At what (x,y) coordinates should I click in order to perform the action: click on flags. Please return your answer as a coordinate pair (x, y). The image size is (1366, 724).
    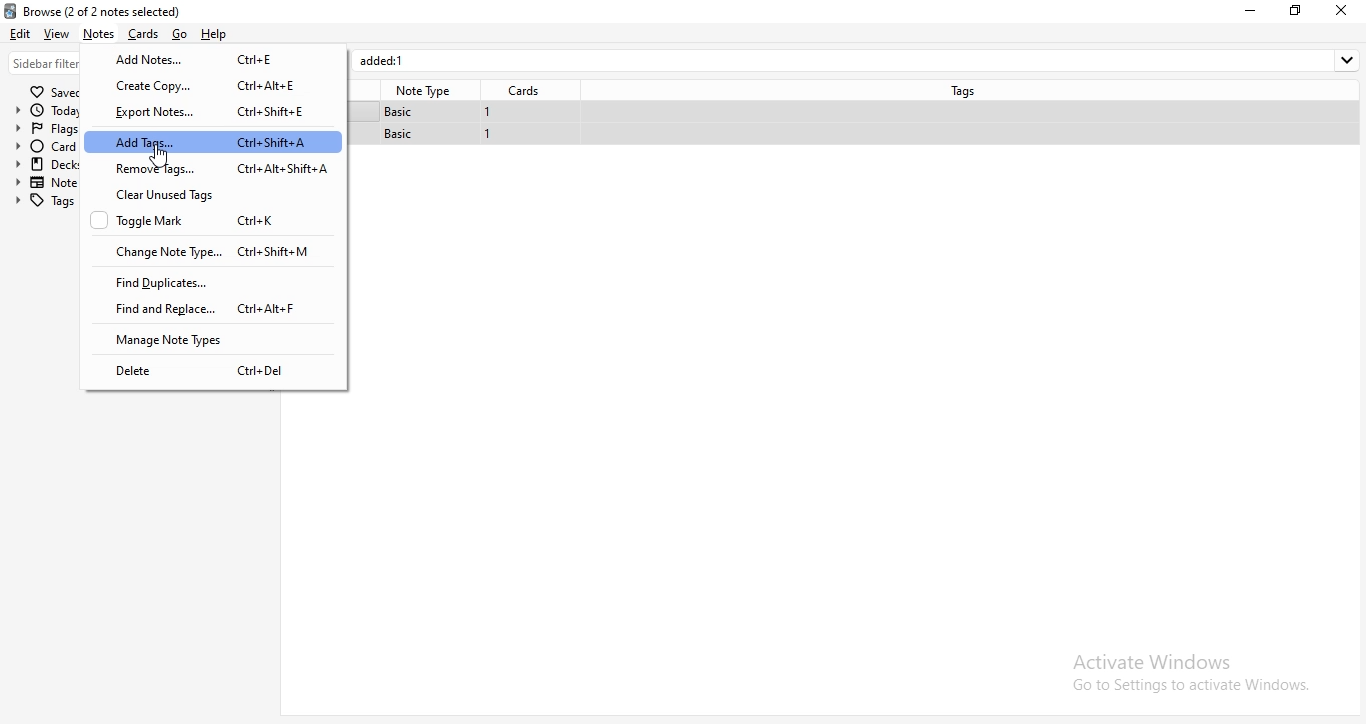
    Looking at the image, I should click on (45, 127).